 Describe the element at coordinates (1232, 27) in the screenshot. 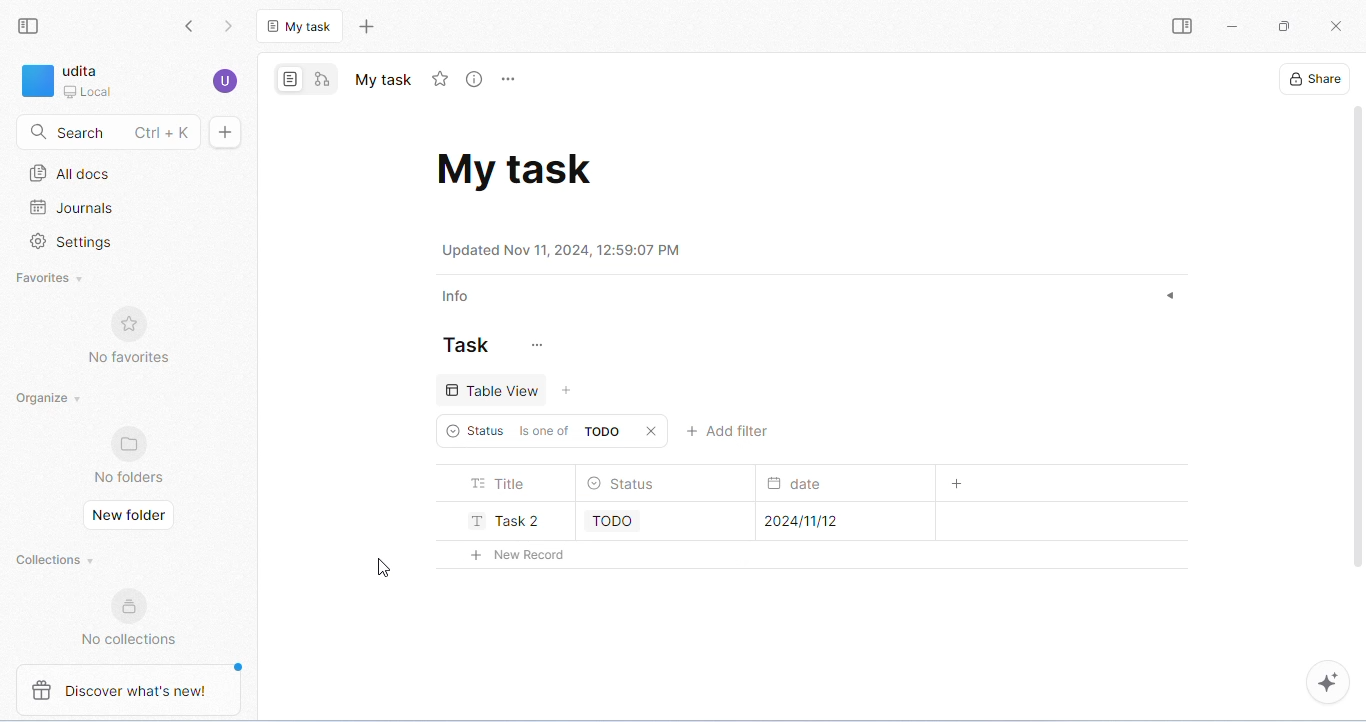

I see `minimize` at that location.